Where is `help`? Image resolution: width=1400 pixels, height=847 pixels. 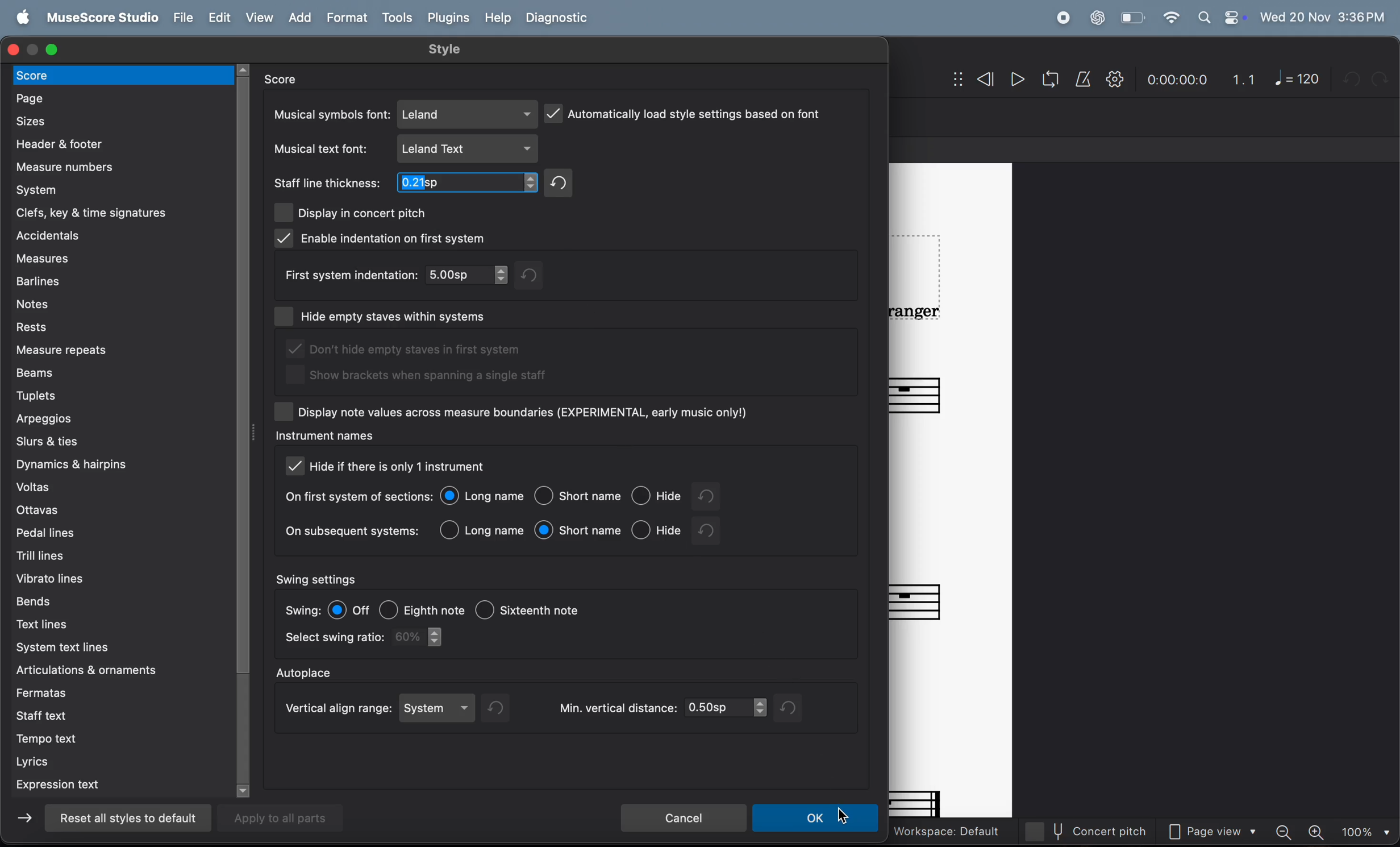
help is located at coordinates (495, 18).